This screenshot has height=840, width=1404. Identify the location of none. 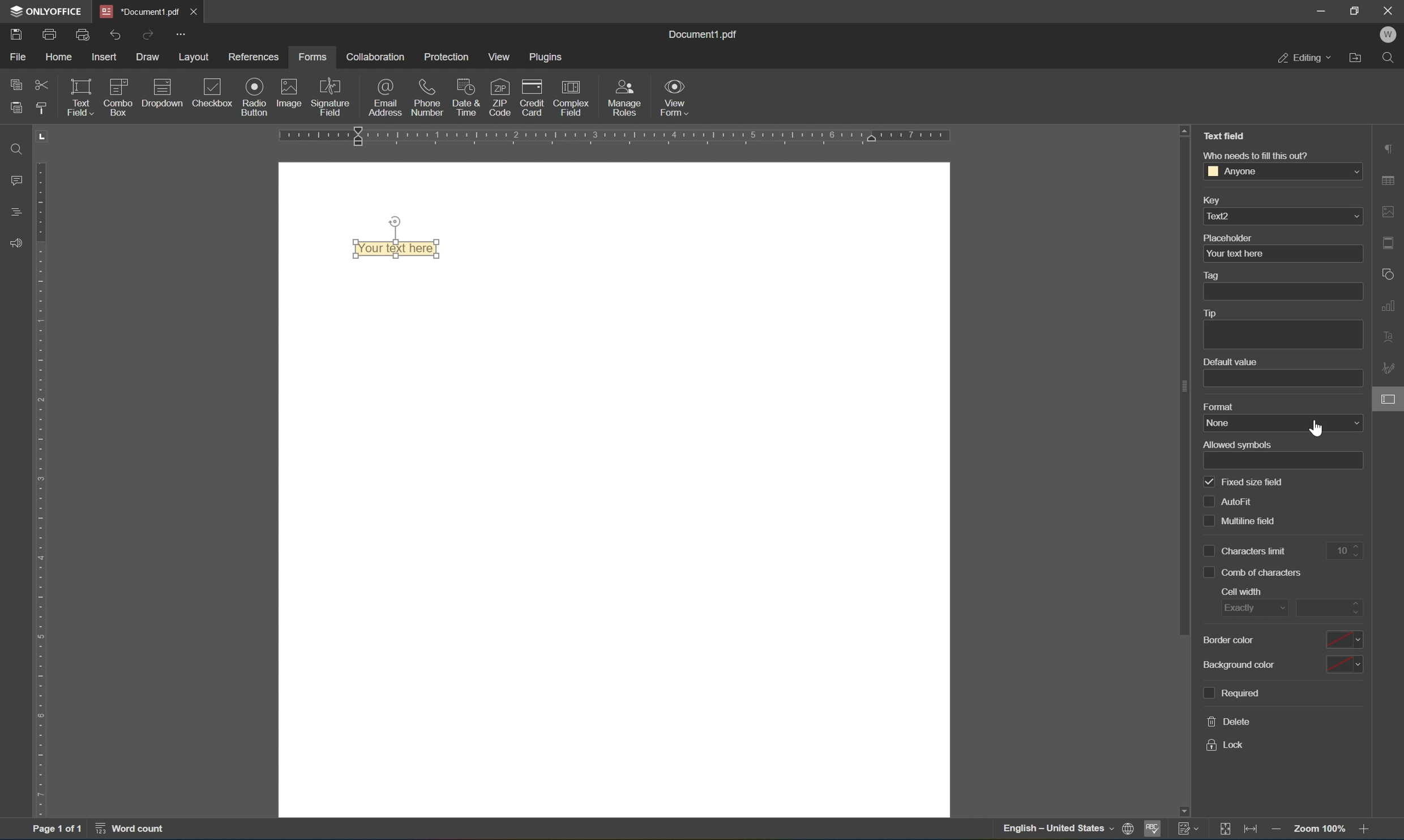
(1219, 422).